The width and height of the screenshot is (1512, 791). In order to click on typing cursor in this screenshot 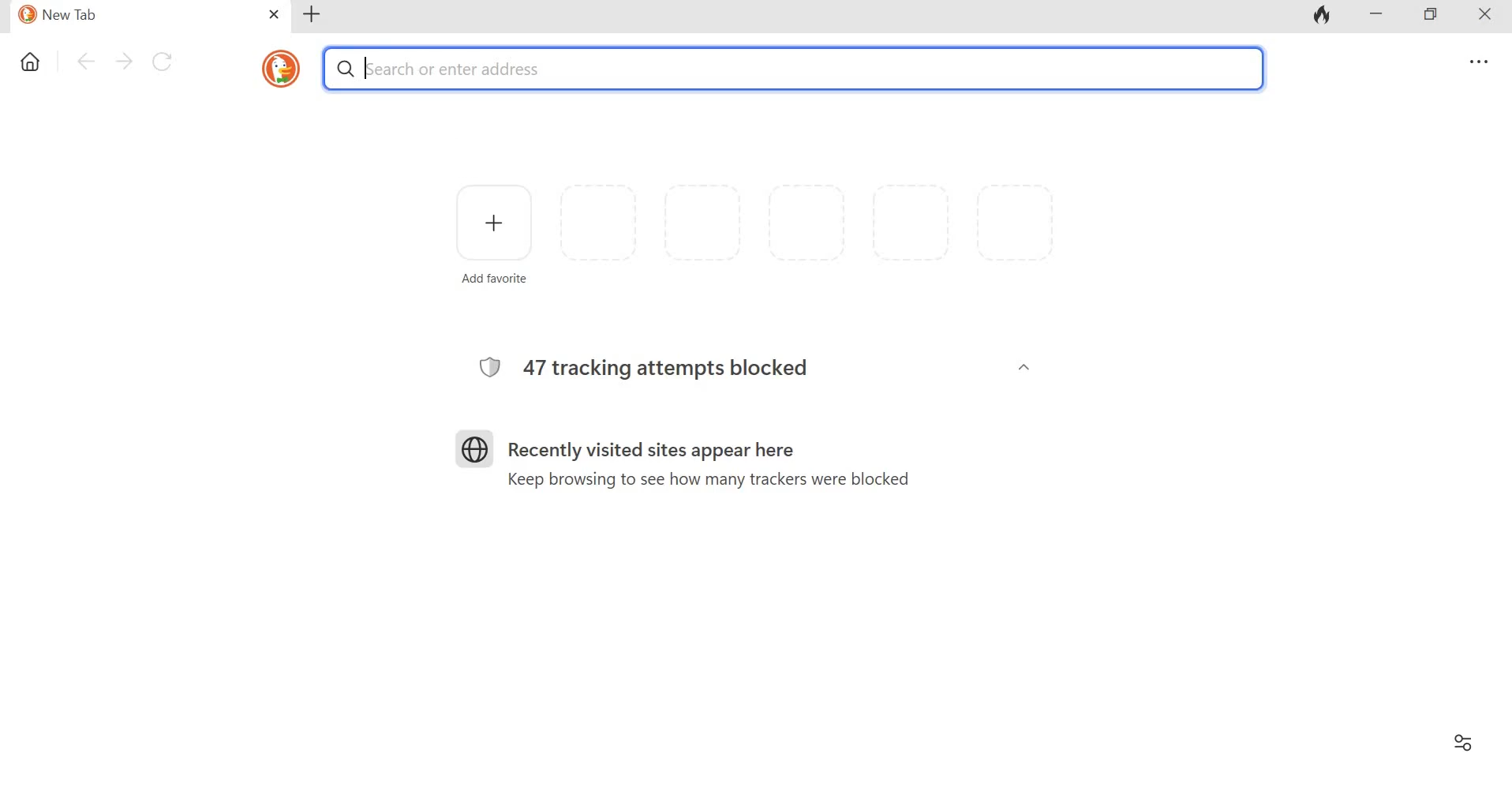, I will do `click(367, 69)`.